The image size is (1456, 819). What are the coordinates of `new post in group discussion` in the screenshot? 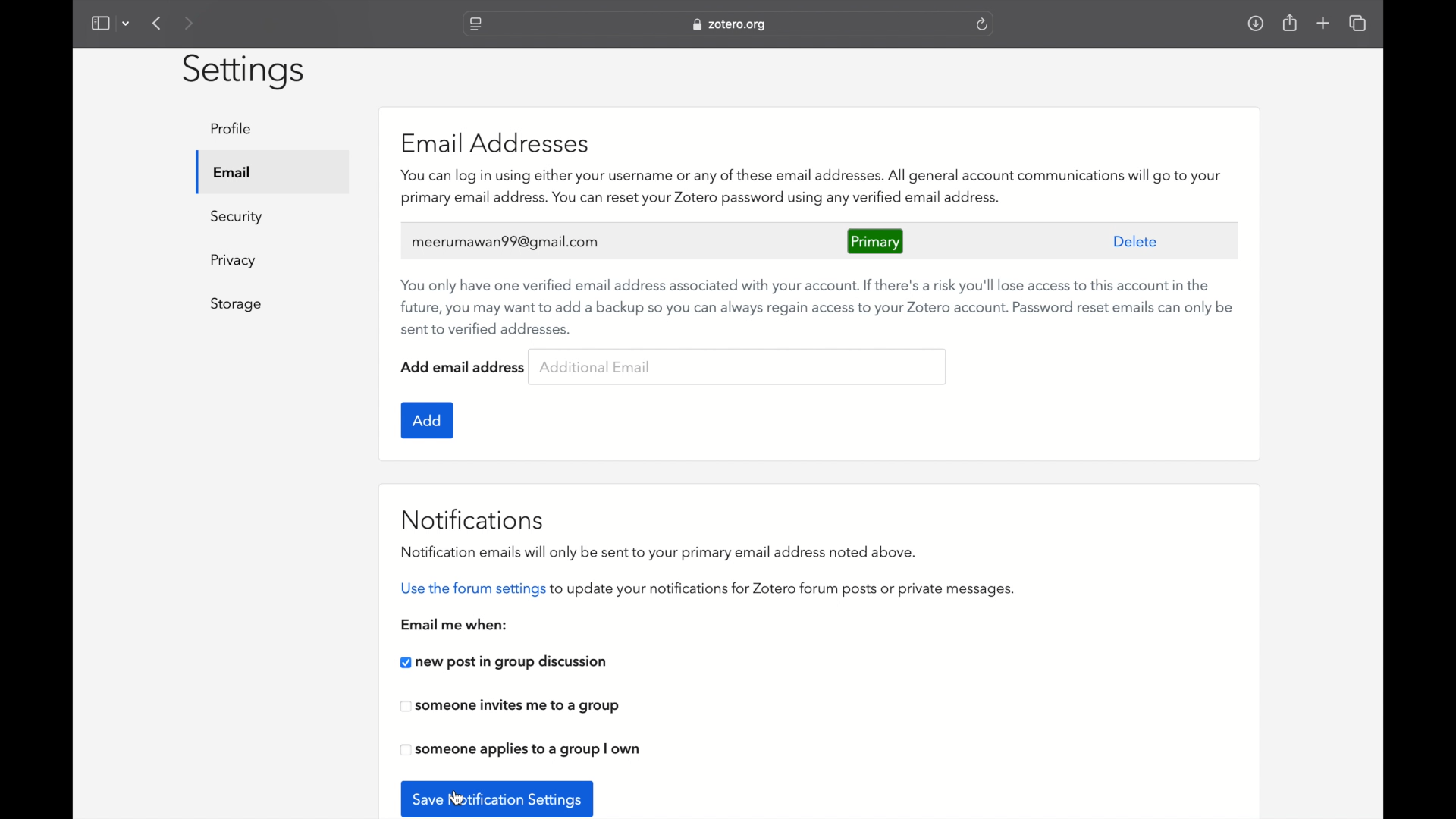 It's located at (505, 663).